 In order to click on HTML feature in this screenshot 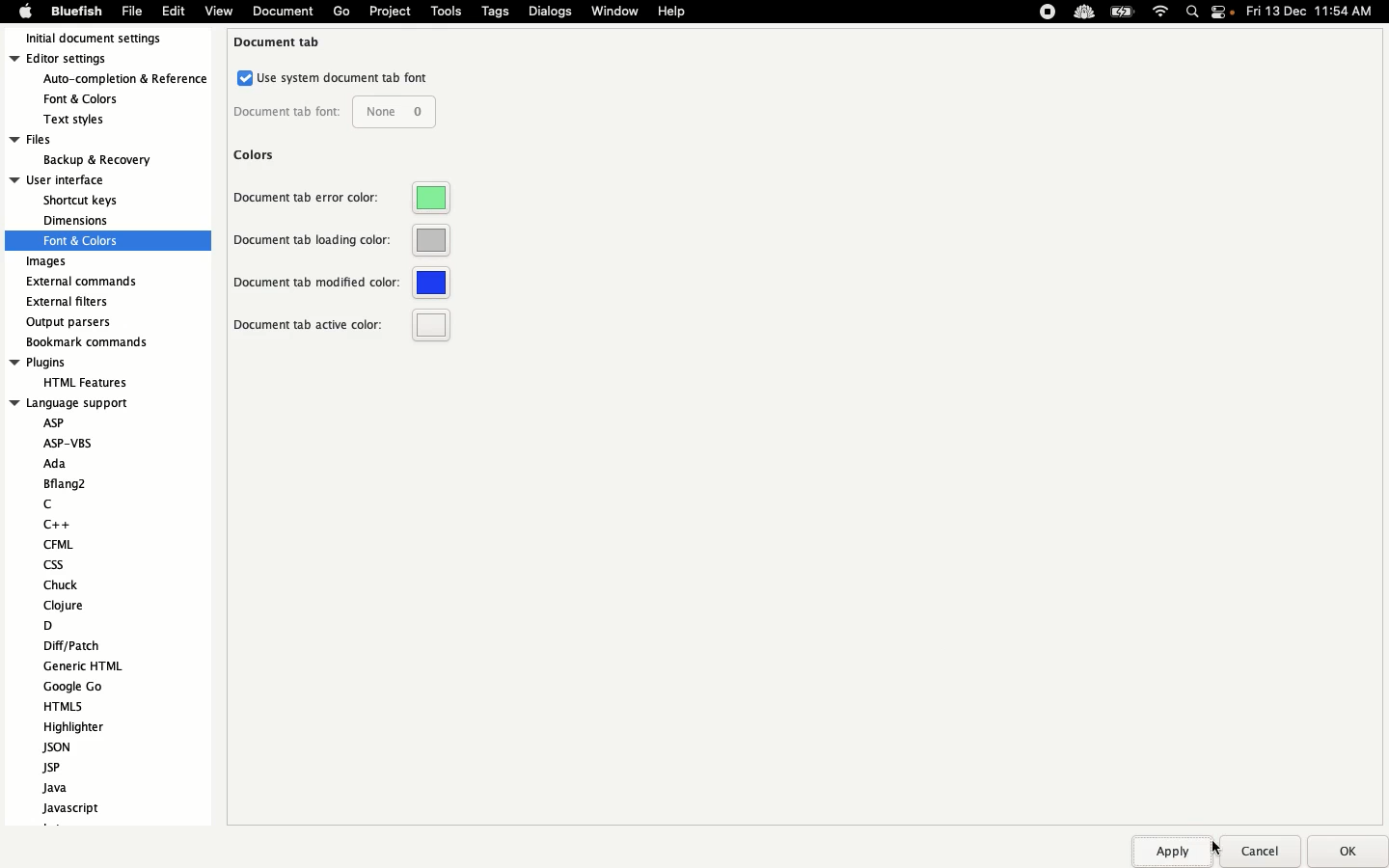, I will do `click(81, 381)`.